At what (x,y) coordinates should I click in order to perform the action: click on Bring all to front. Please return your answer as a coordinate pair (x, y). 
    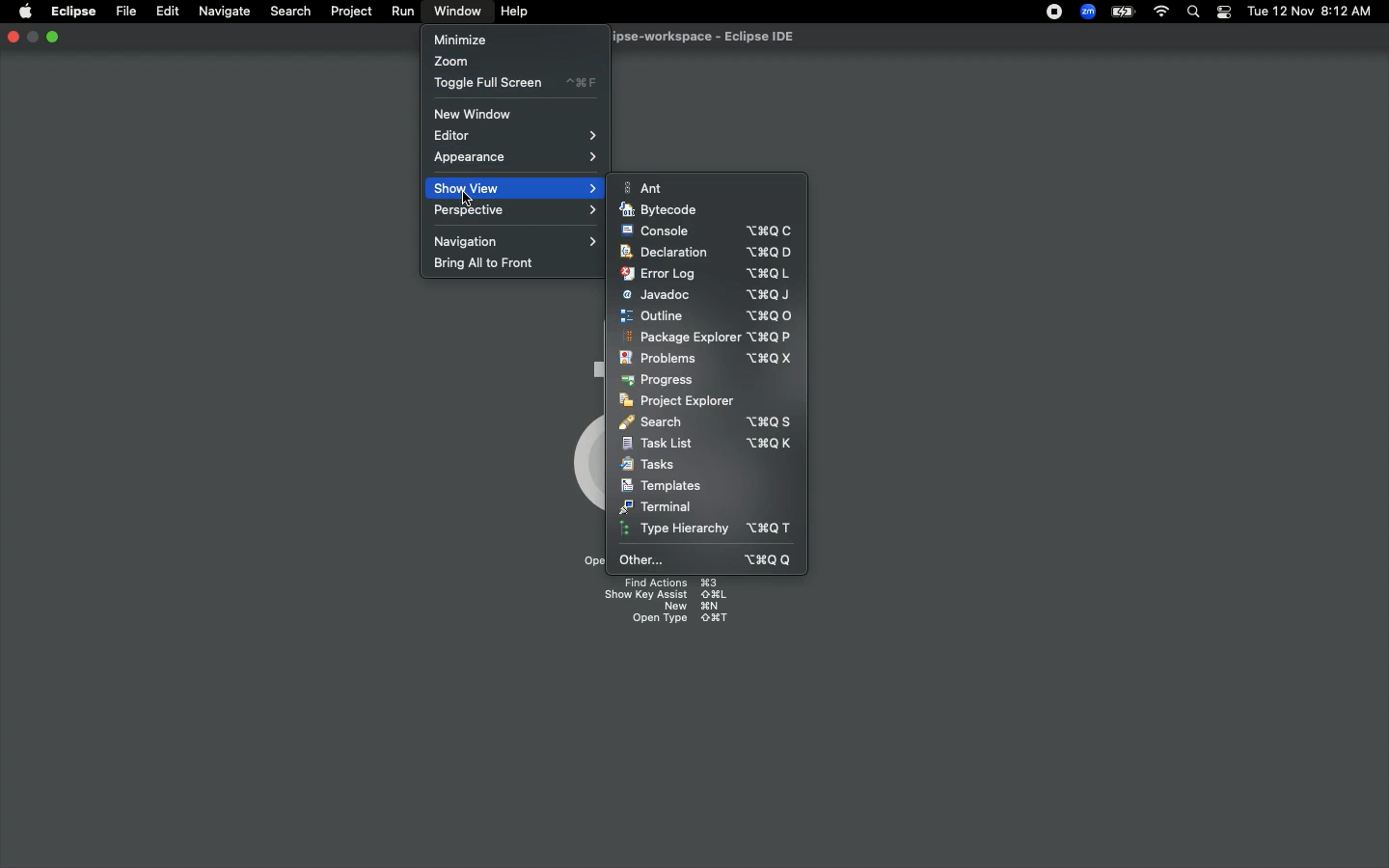
    Looking at the image, I should click on (489, 265).